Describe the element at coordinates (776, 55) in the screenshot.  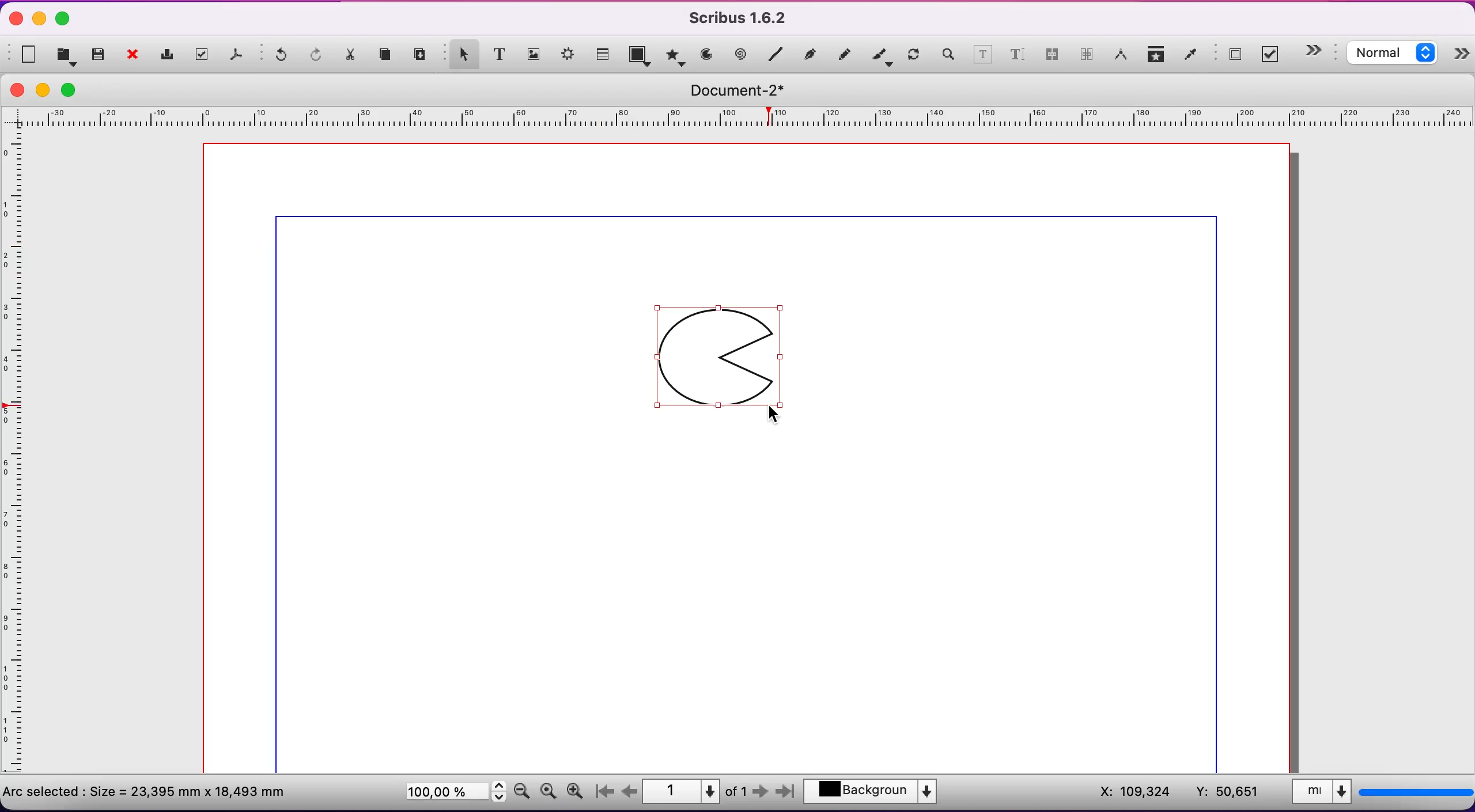
I see `line` at that location.